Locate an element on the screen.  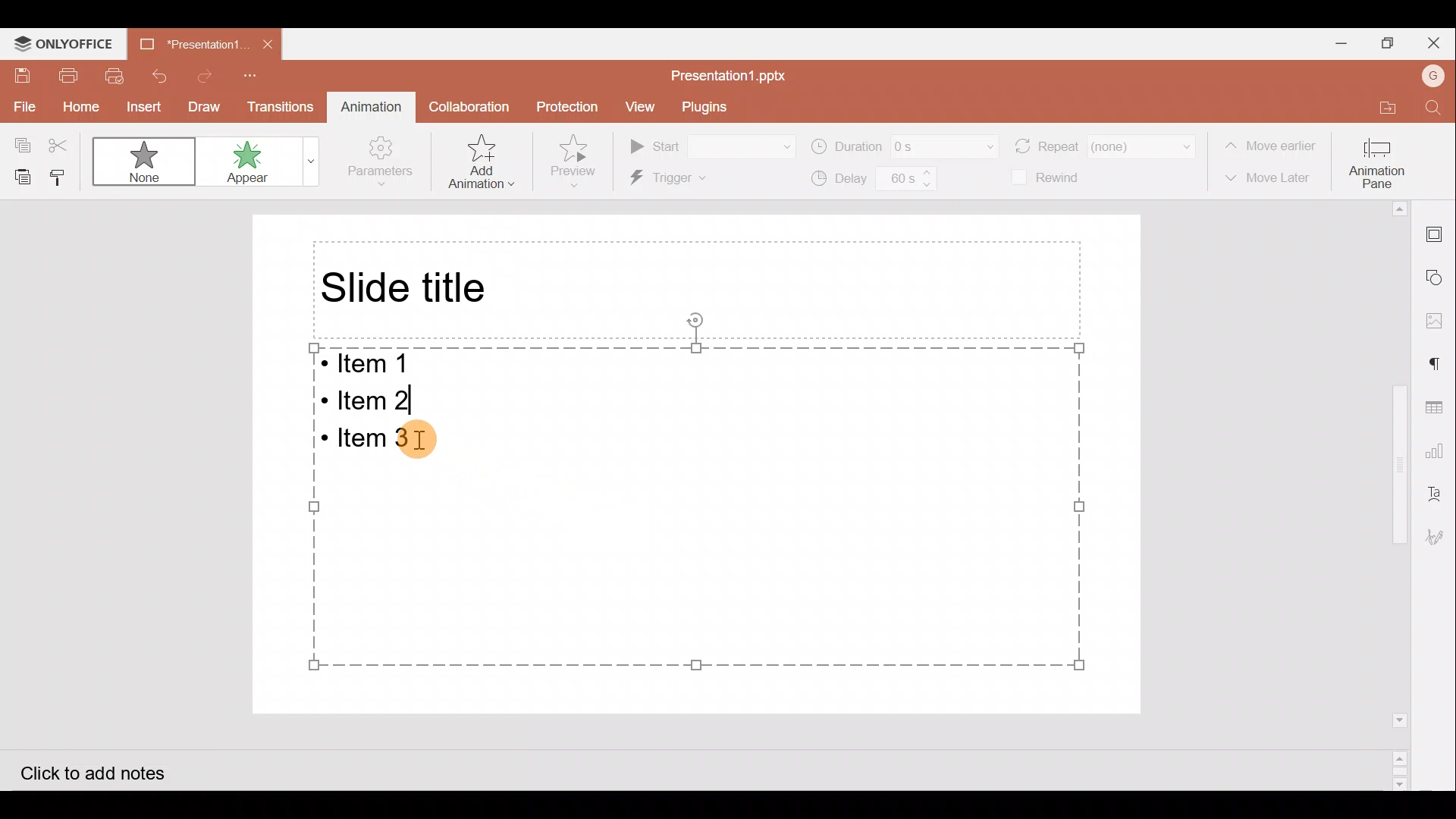
Minimize is located at coordinates (1330, 43).